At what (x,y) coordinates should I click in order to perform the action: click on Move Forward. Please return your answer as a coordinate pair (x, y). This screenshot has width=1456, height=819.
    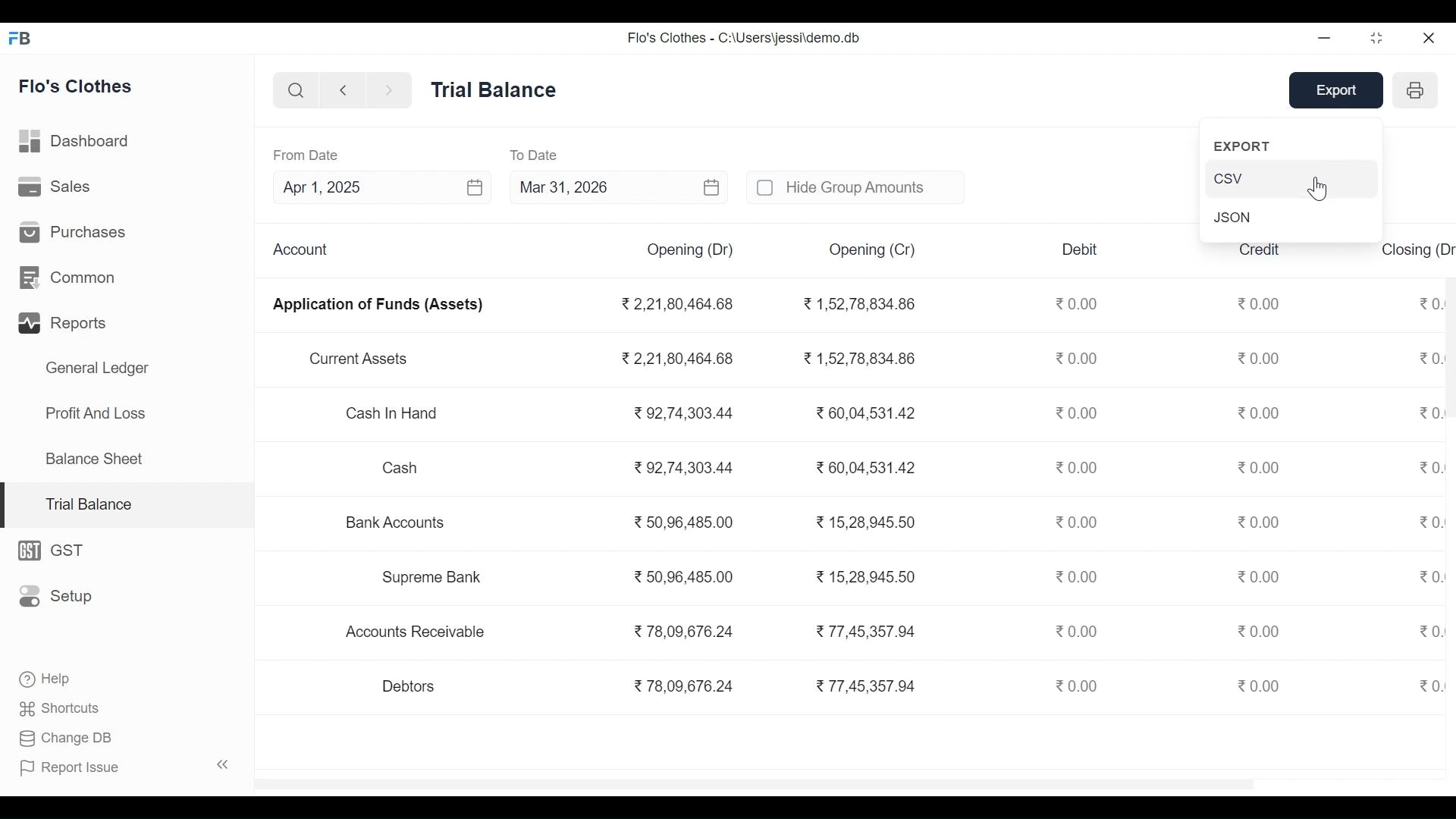
    Looking at the image, I should click on (390, 90).